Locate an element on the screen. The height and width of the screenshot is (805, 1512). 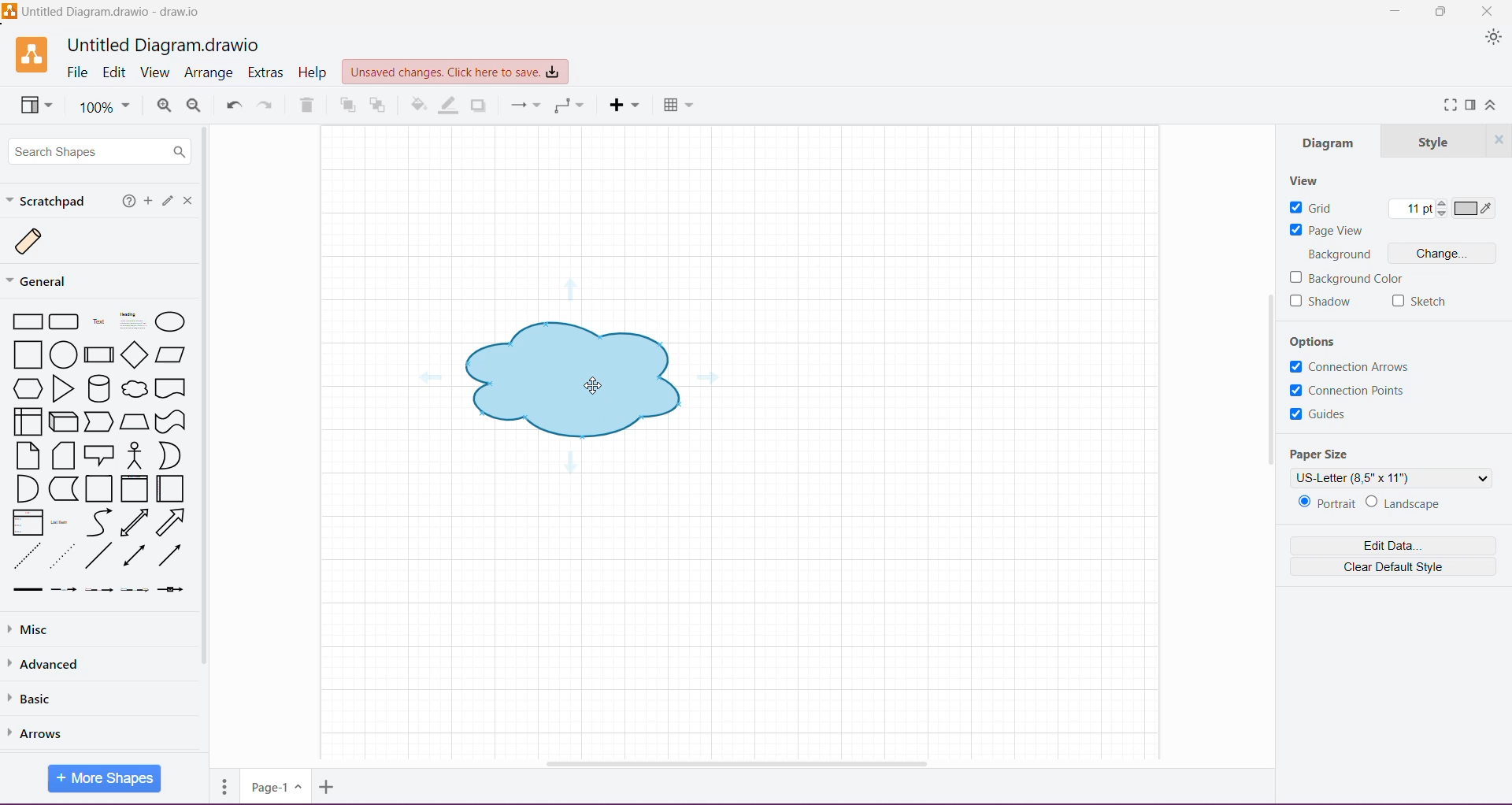
Fullscreen is located at coordinates (1447, 106).